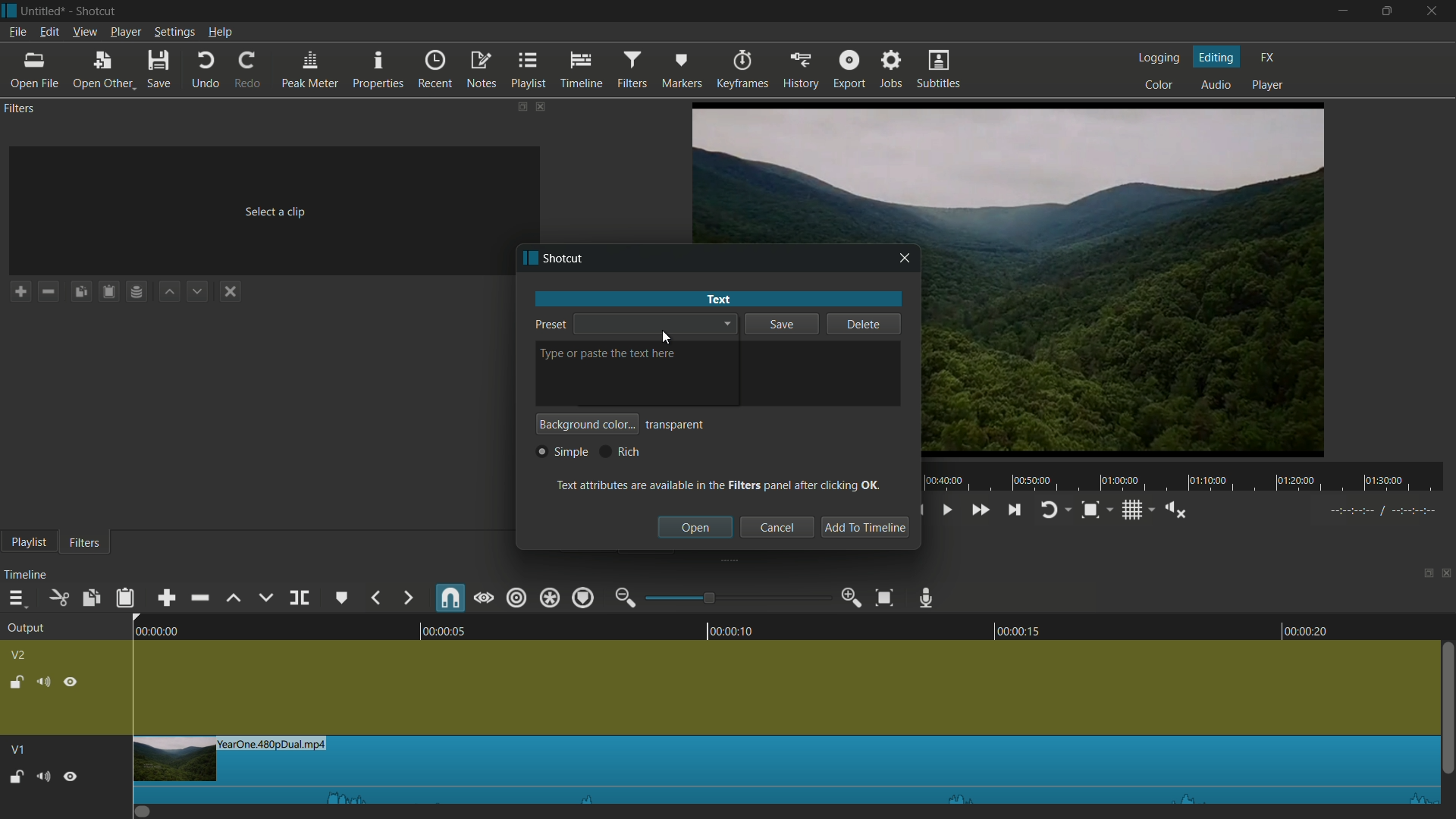 Image resolution: width=1456 pixels, height=819 pixels. What do you see at coordinates (619, 451) in the screenshot?
I see `rich` at bounding box center [619, 451].